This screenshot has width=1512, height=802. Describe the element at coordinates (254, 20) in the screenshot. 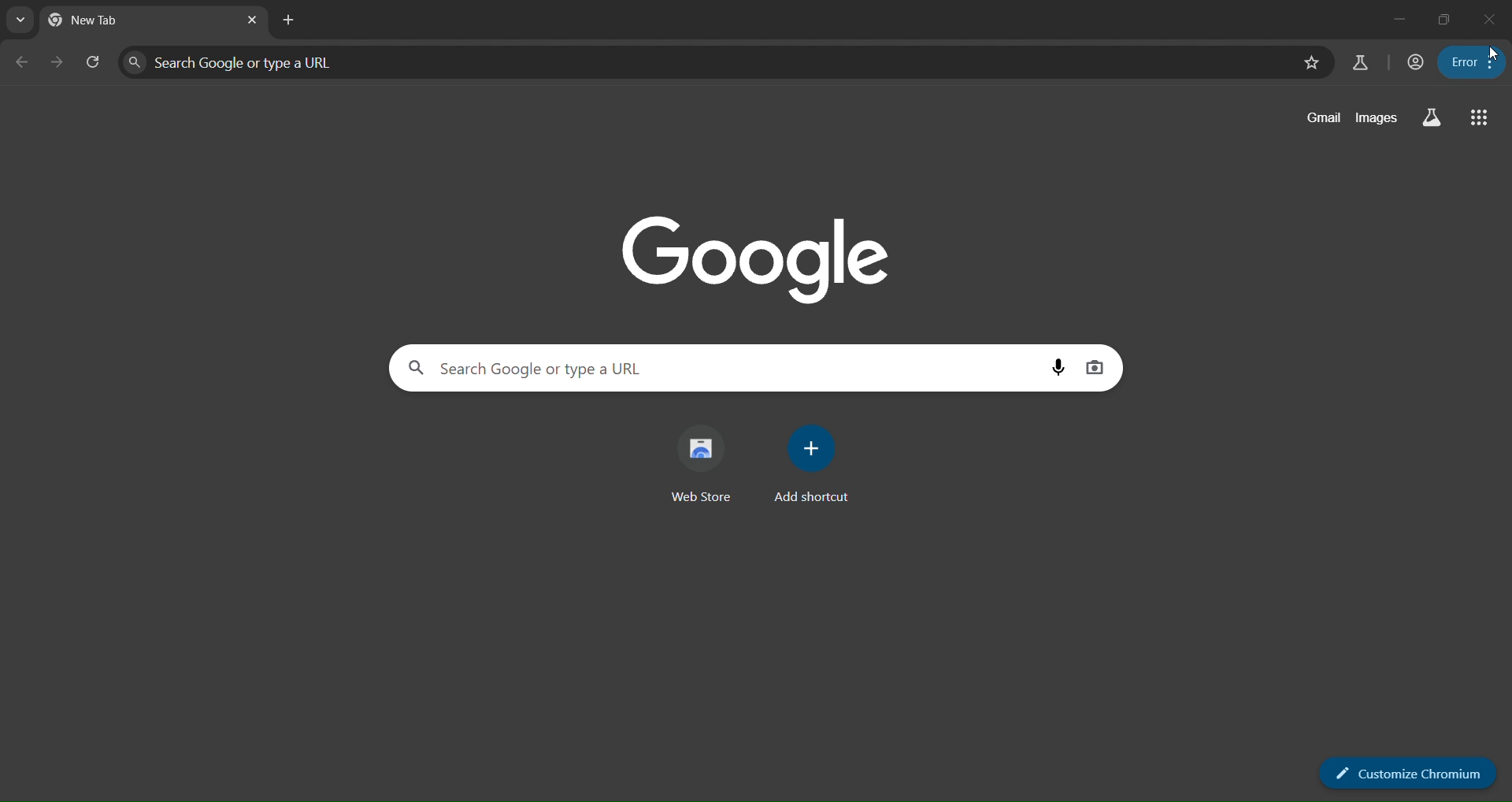

I see `close tab` at that location.